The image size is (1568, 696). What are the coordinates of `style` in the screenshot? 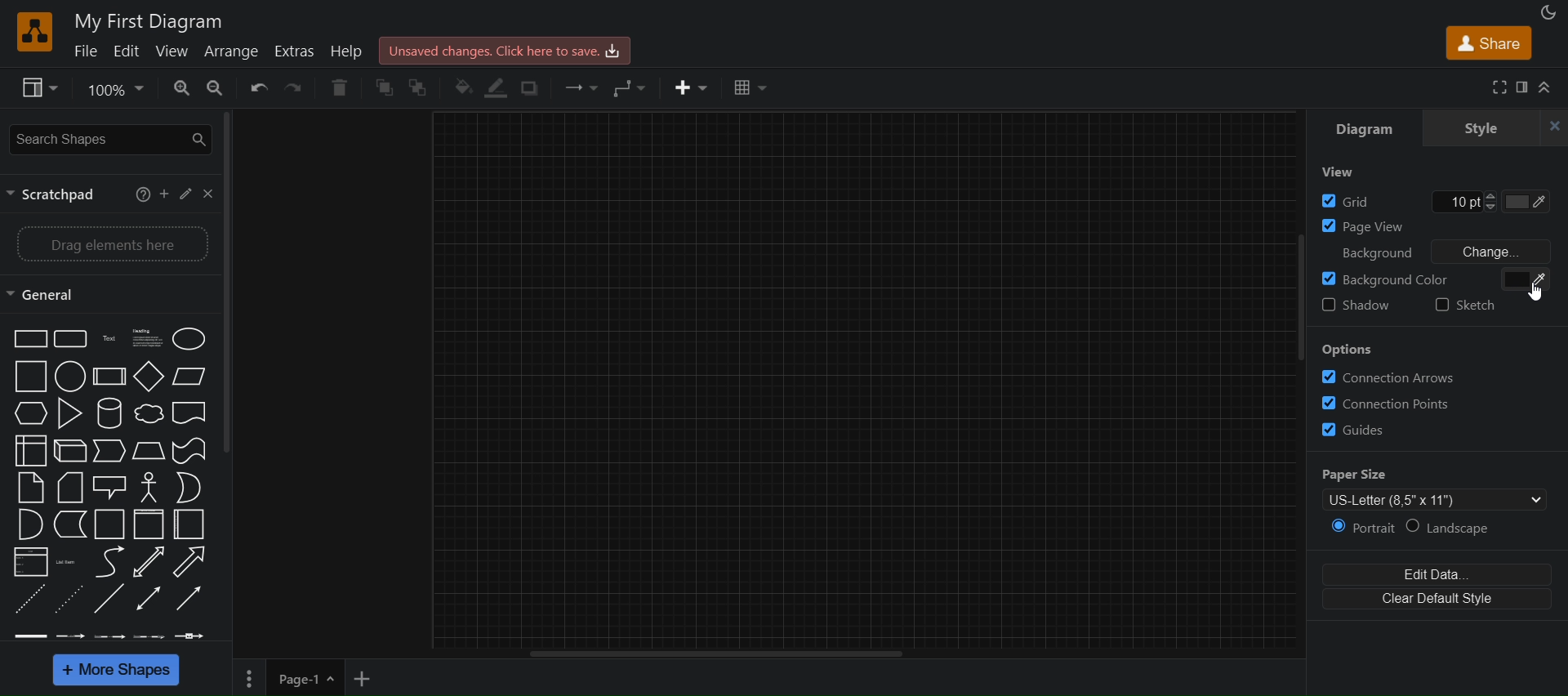 It's located at (1485, 128).